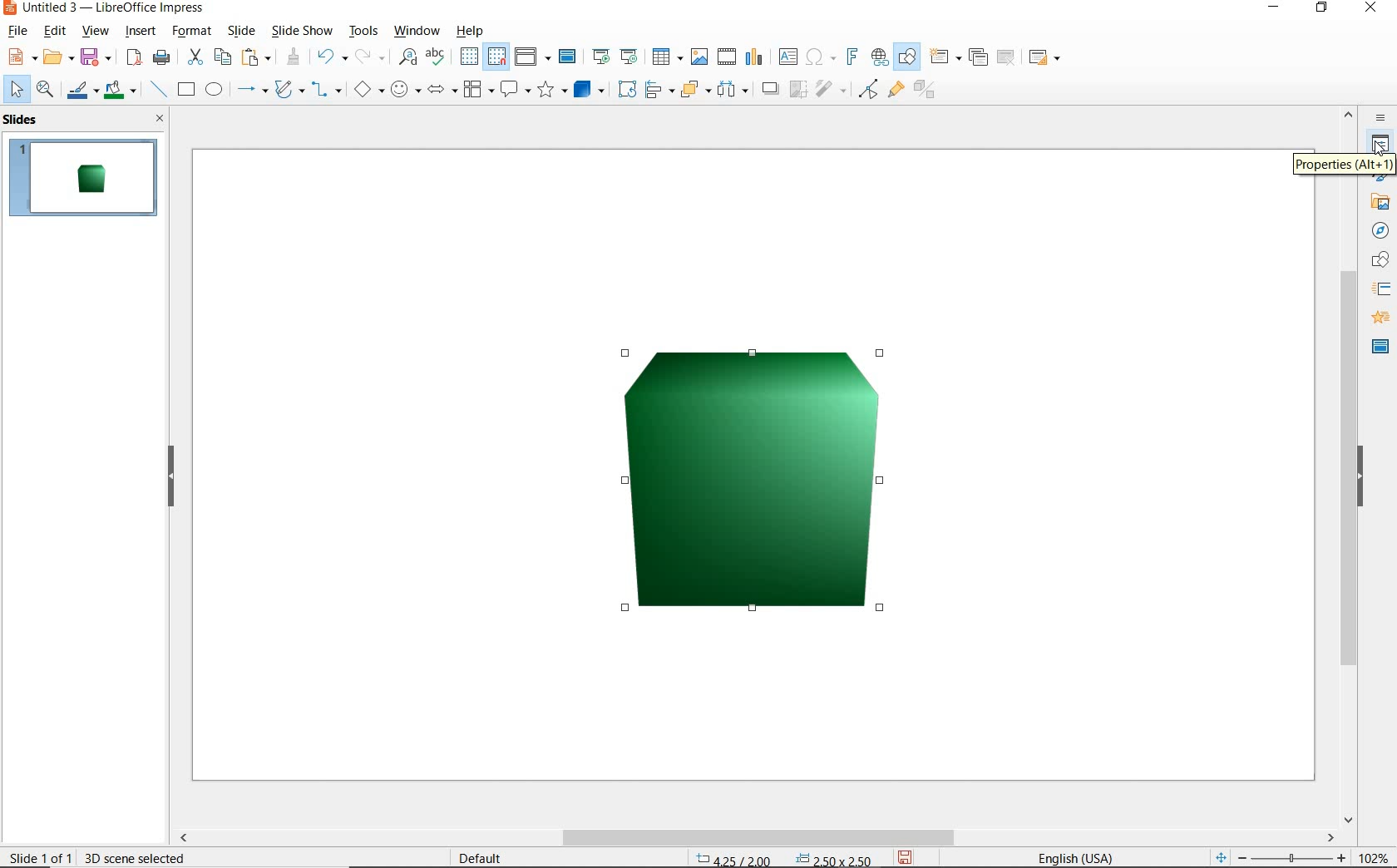  I want to click on new slide, so click(944, 57).